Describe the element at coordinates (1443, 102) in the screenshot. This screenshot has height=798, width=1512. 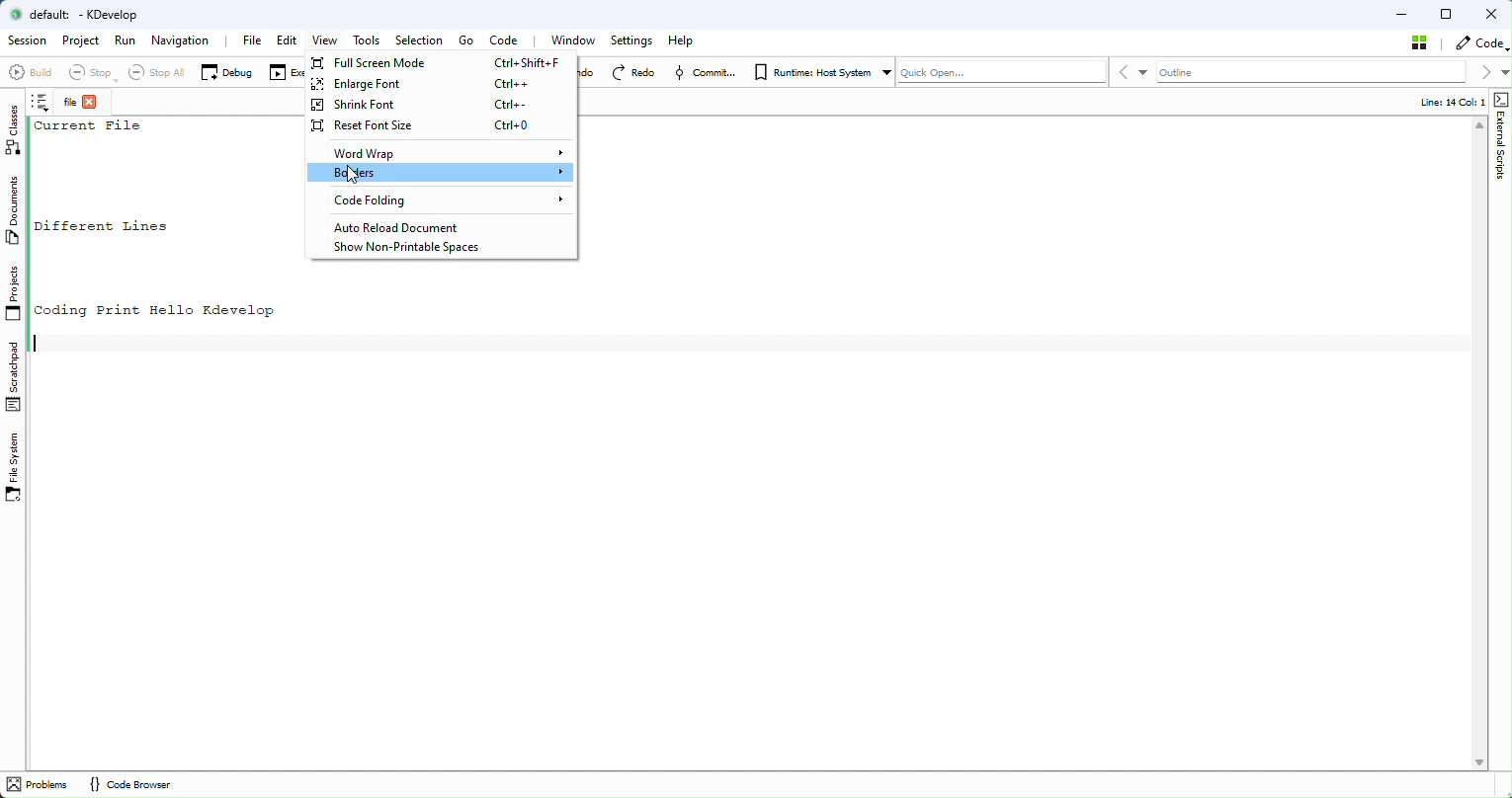
I see `Info` at that location.